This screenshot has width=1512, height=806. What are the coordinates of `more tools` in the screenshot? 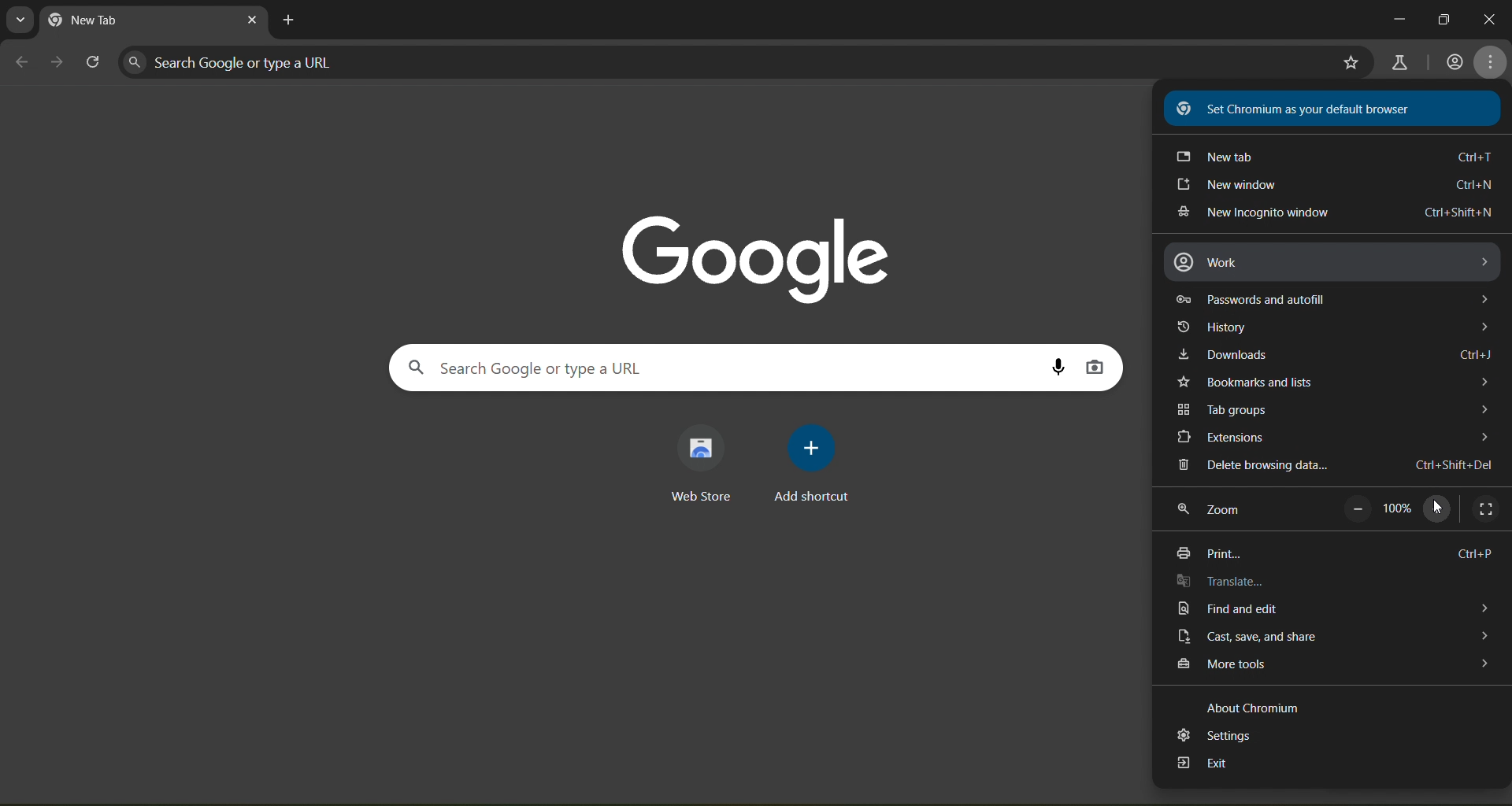 It's located at (1331, 667).